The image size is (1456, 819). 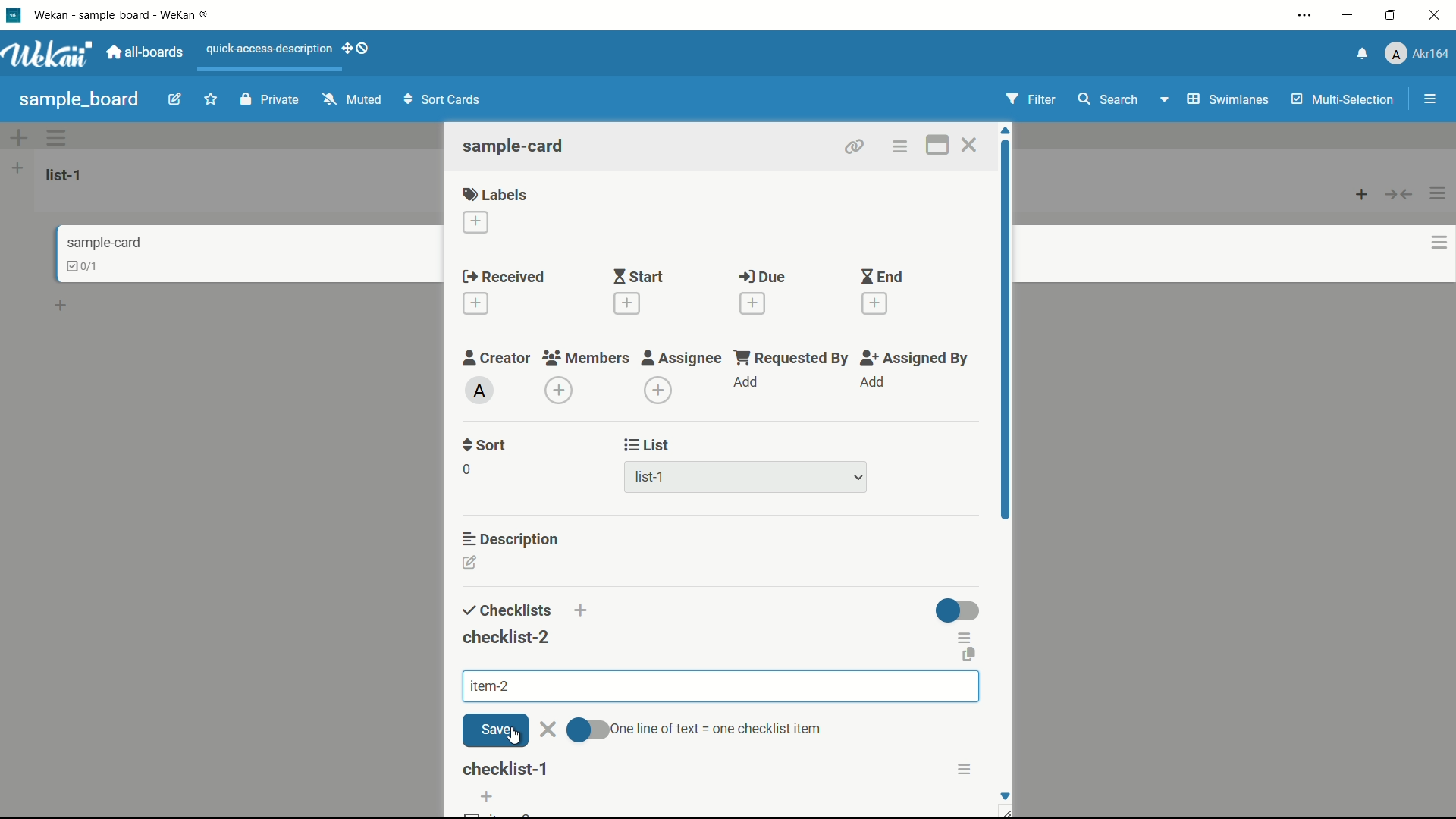 What do you see at coordinates (124, 14) in the screenshot?
I see `app name` at bounding box center [124, 14].